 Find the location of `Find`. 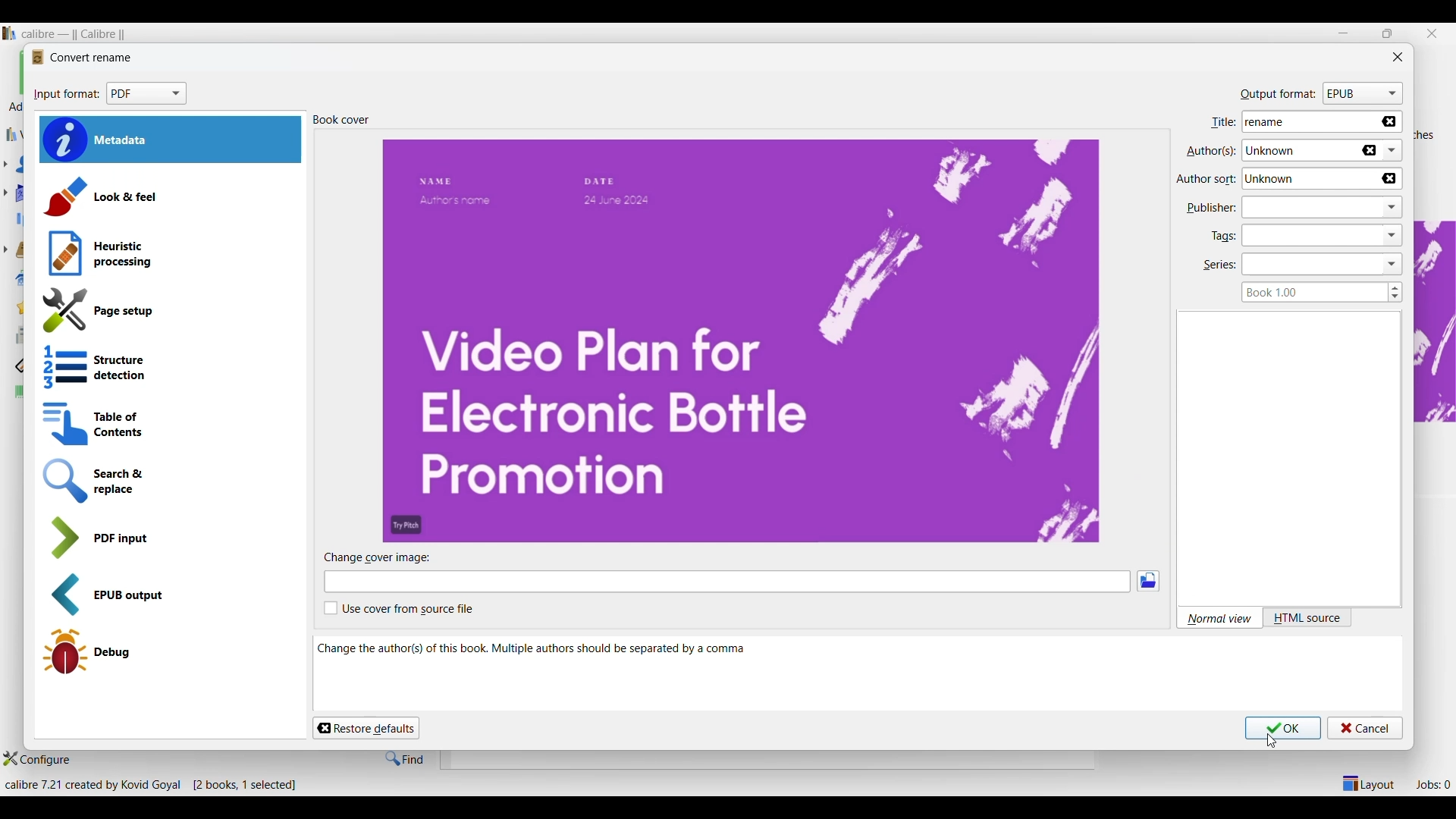

Find is located at coordinates (405, 760).